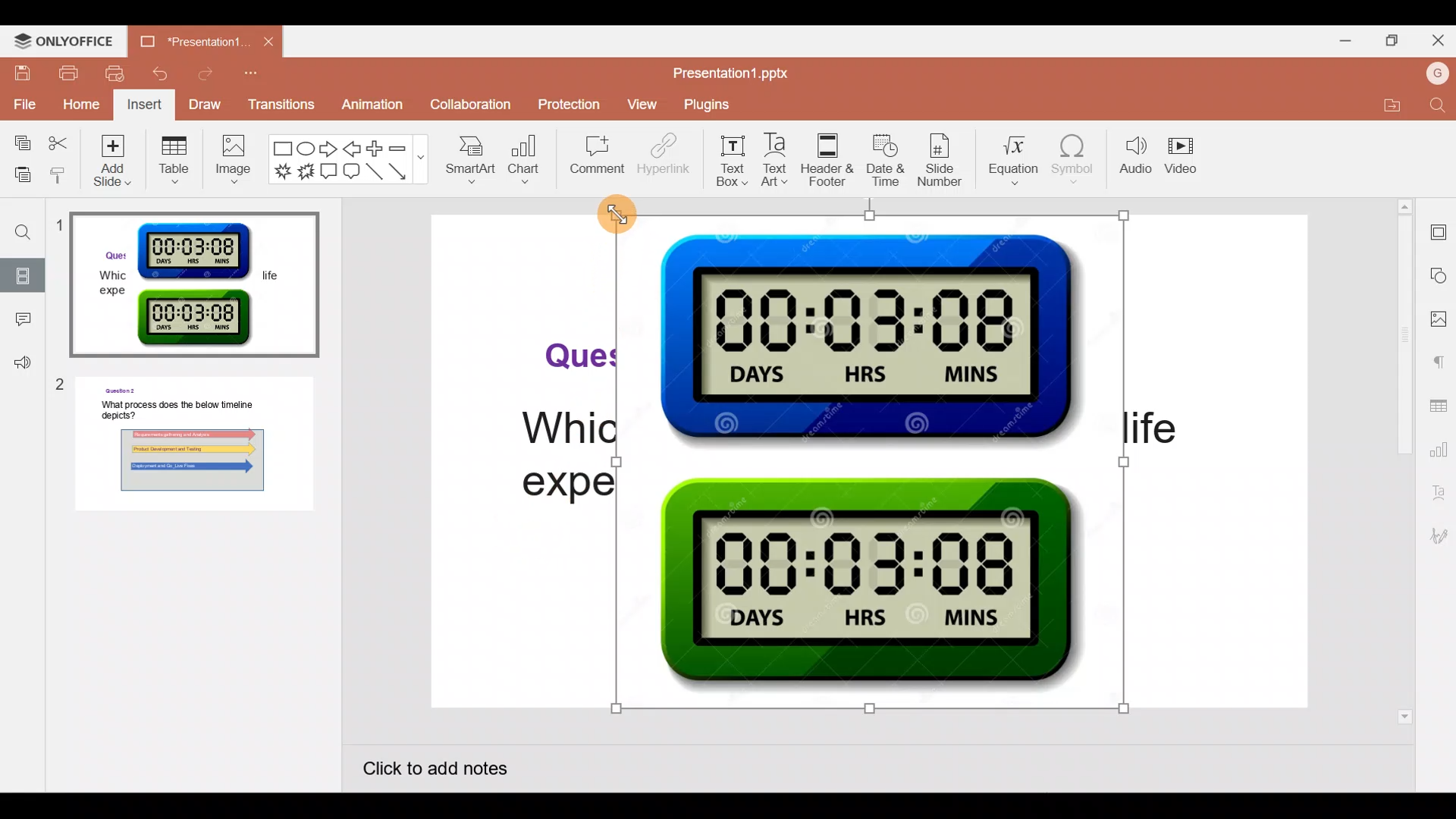  What do you see at coordinates (642, 106) in the screenshot?
I see `View` at bounding box center [642, 106].